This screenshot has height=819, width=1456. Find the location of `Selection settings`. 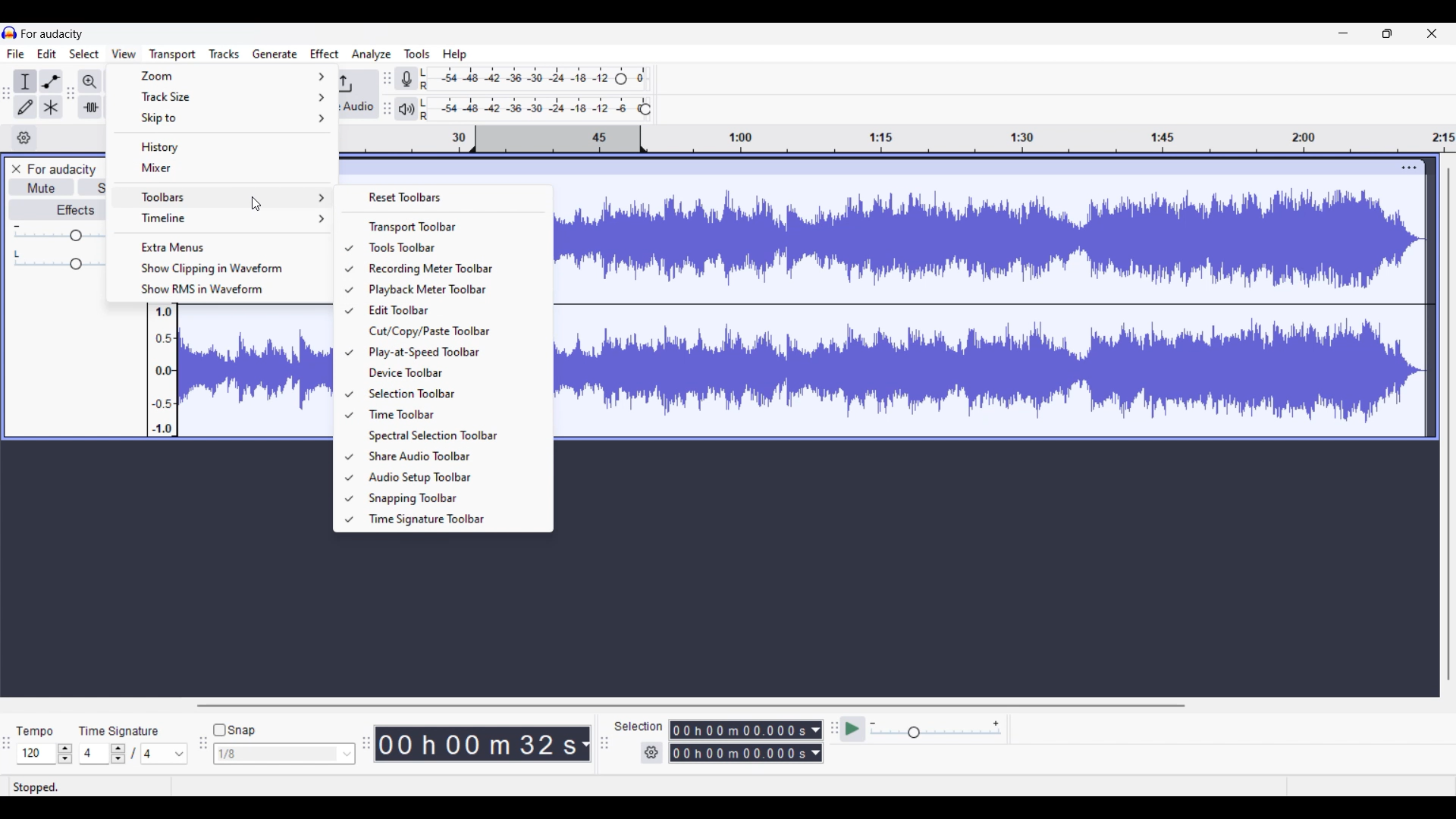

Selection settings is located at coordinates (651, 752).